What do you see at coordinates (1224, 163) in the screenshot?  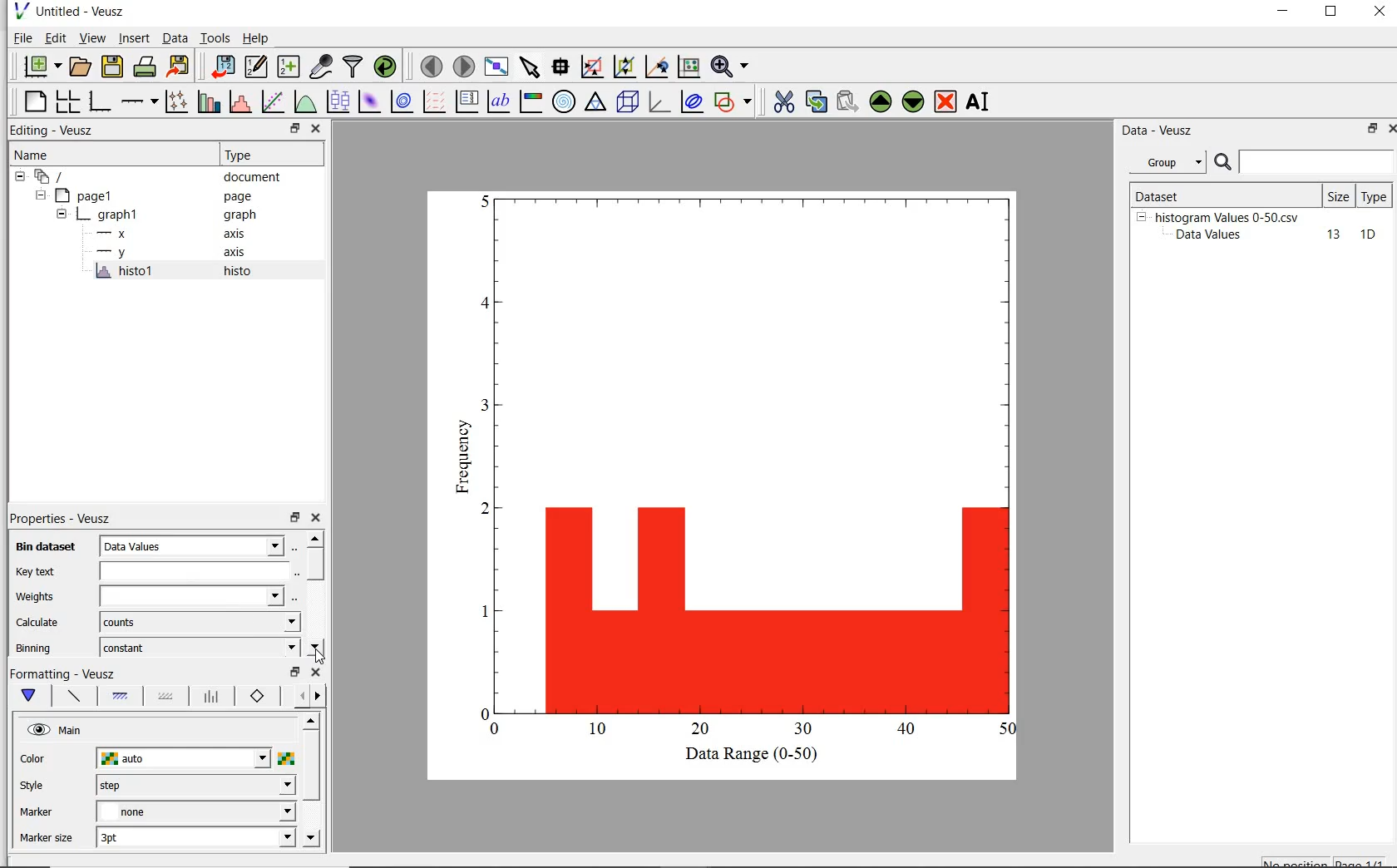 I see `search` at bounding box center [1224, 163].